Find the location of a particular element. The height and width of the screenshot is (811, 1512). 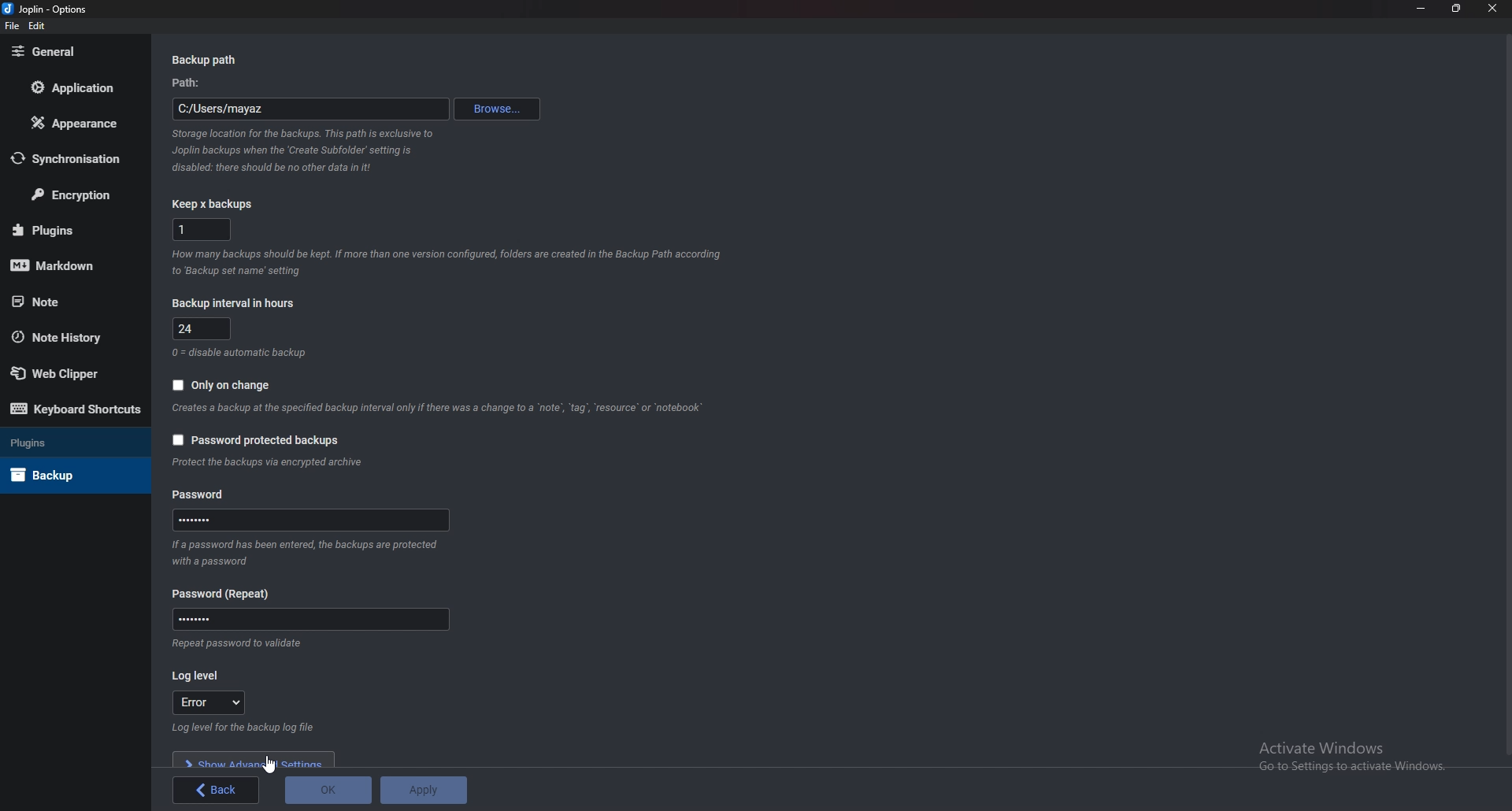

Password is located at coordinates (309, 619).